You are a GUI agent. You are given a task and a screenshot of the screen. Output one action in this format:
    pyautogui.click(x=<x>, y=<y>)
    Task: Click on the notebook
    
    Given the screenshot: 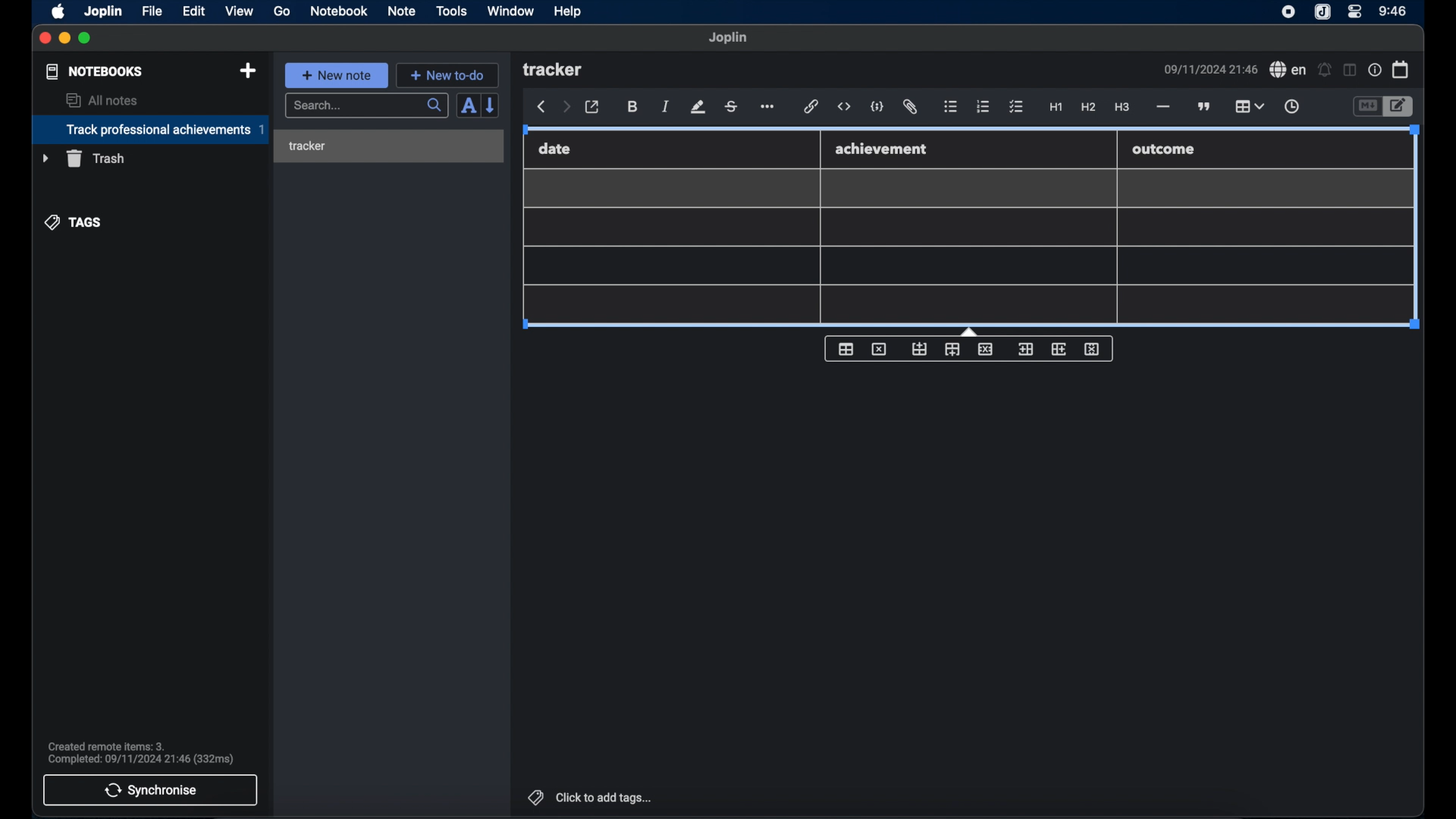 What is the action you would take?
    pyautogui.click(x=339, y=11)
    